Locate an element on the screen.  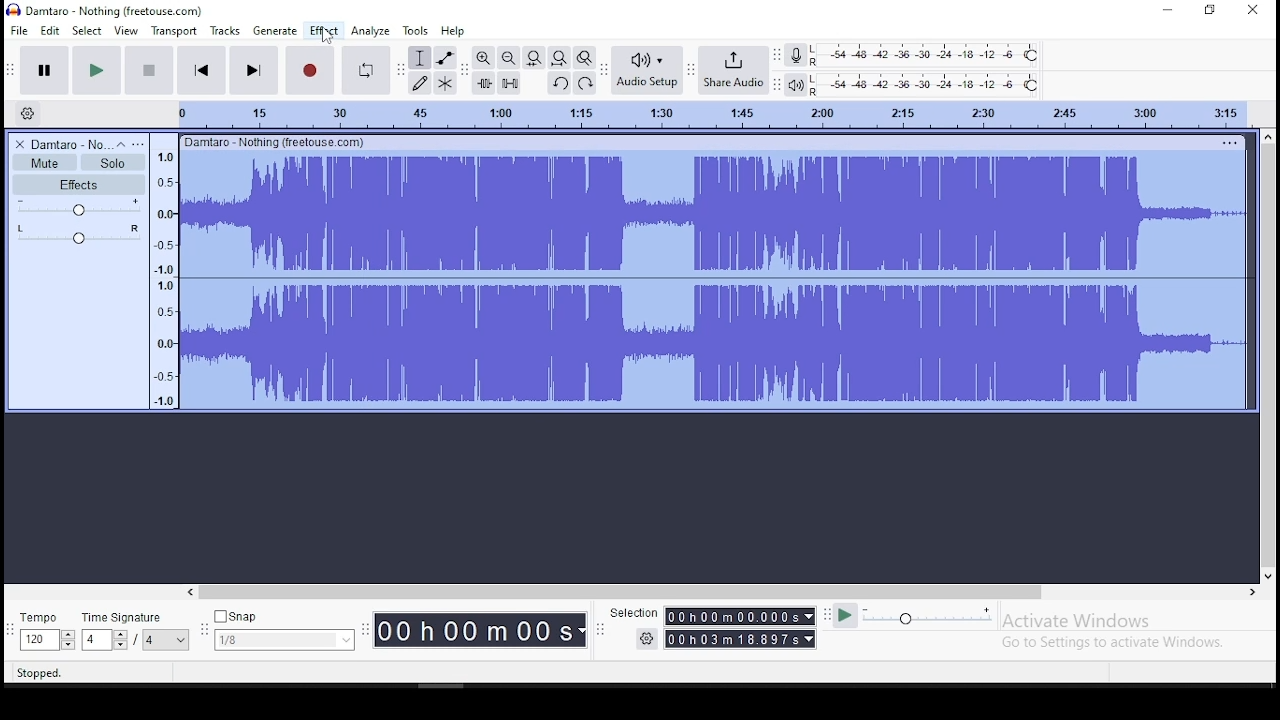
recording level is located at coordinates (925, 55).